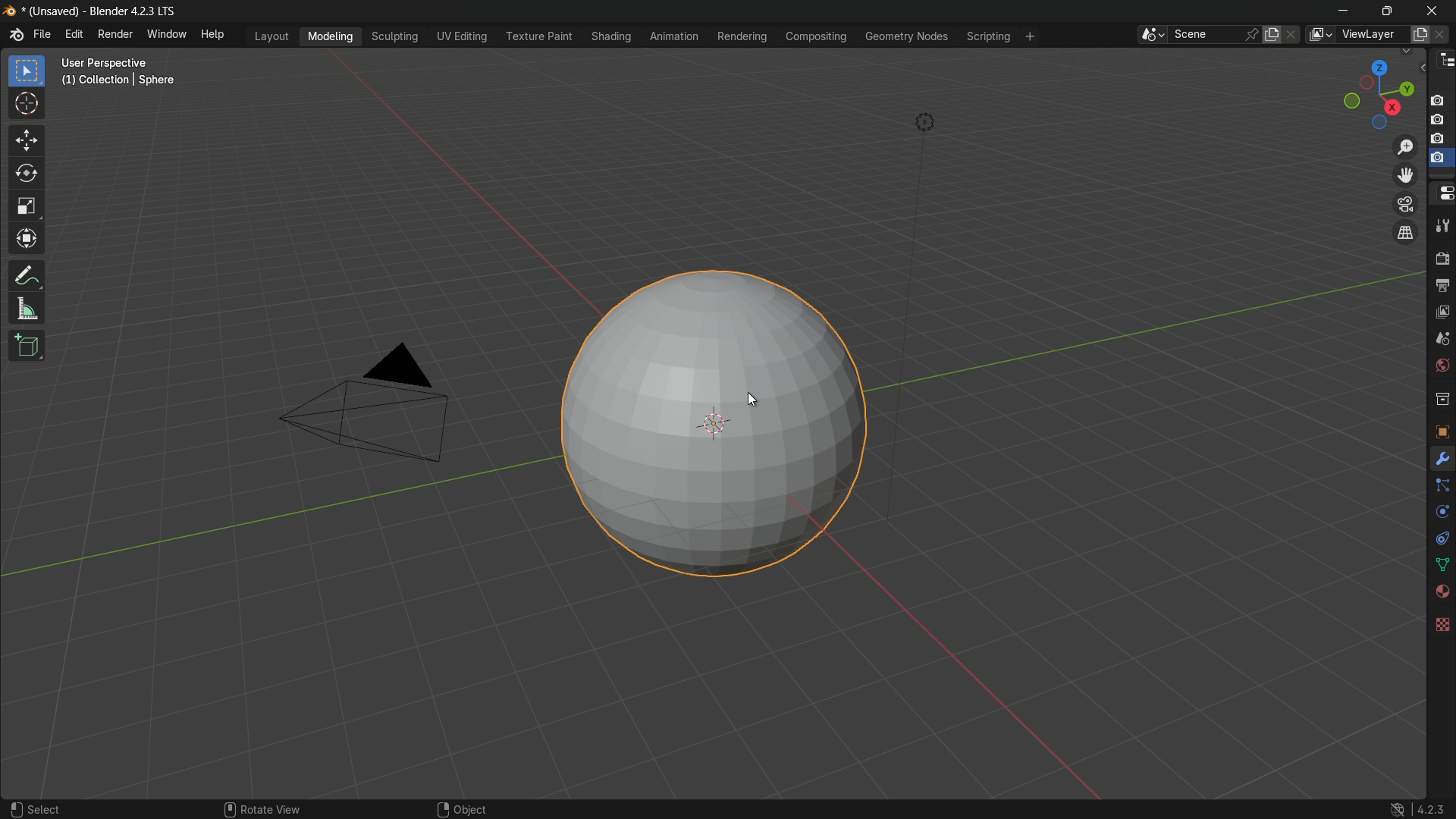 The width and height of the screenshot is (1456, 819). What do you see at coordinates (1442, 489) in the screenshot?
I see `particles` at bounding box center [1442, 489].